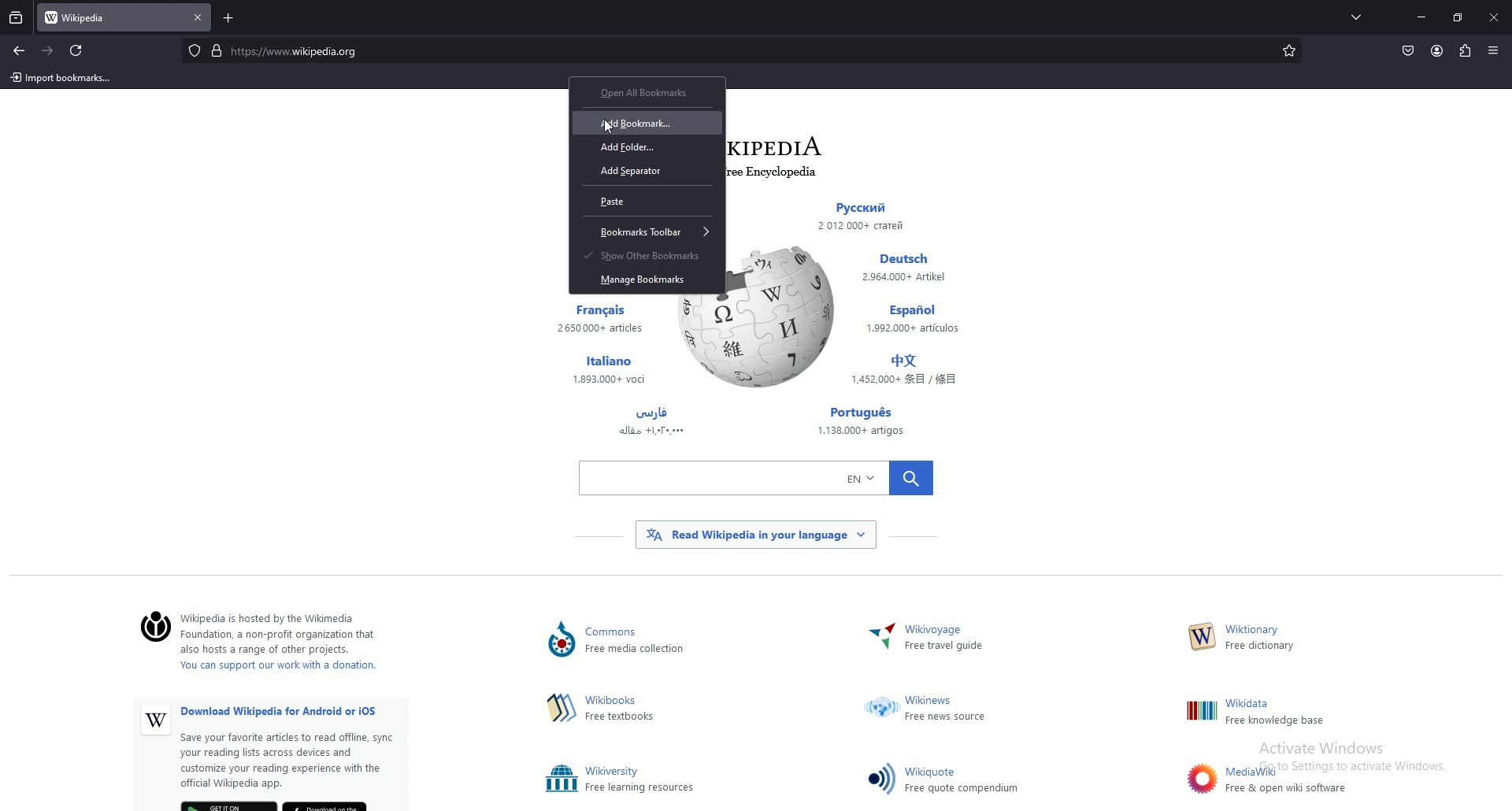 The image size is (1512, 811). Describe the element at coordinates (76, 51) in the screenshot. I see `refresh` at that location.